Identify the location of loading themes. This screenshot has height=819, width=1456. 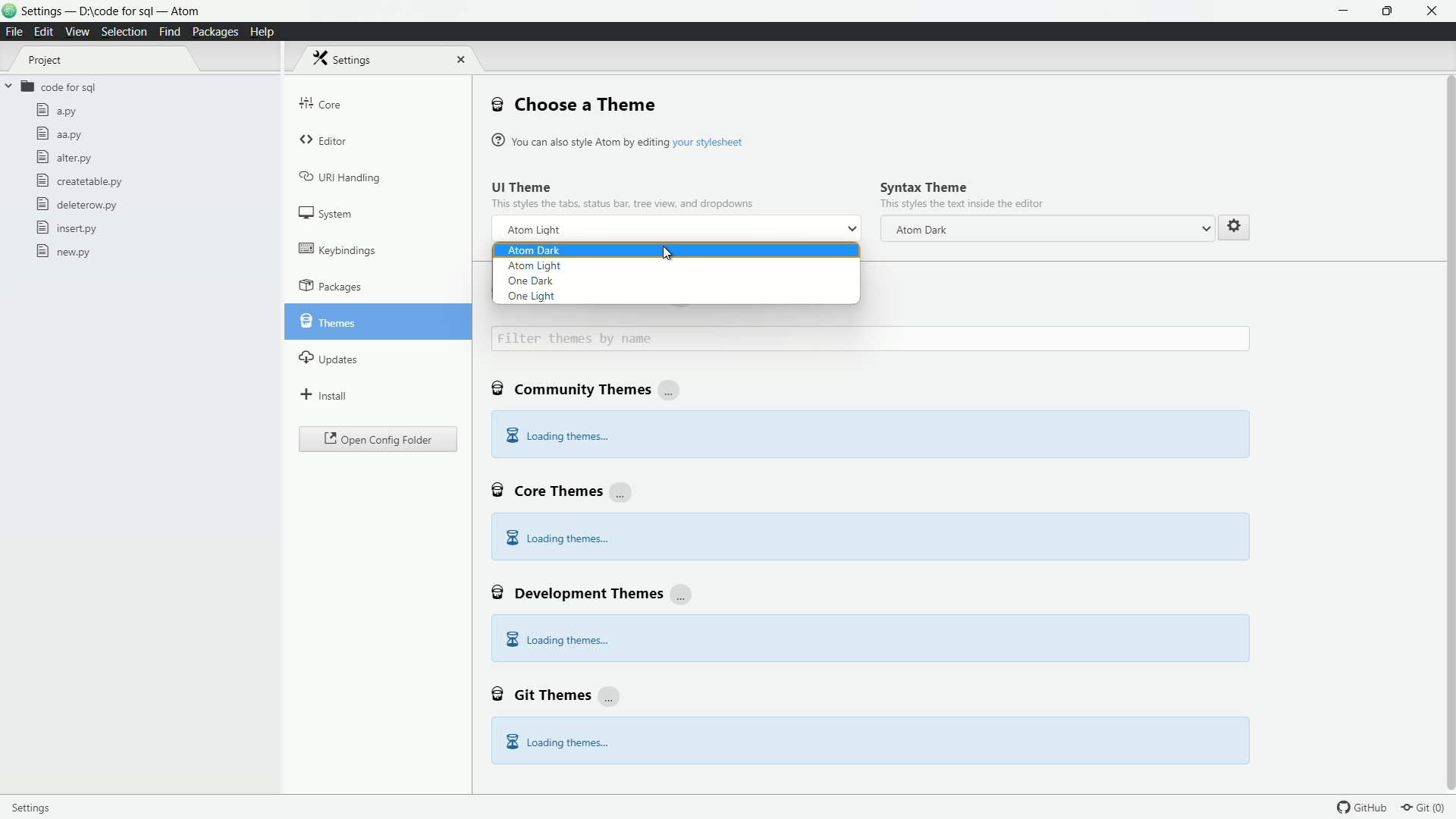
(556, 538).